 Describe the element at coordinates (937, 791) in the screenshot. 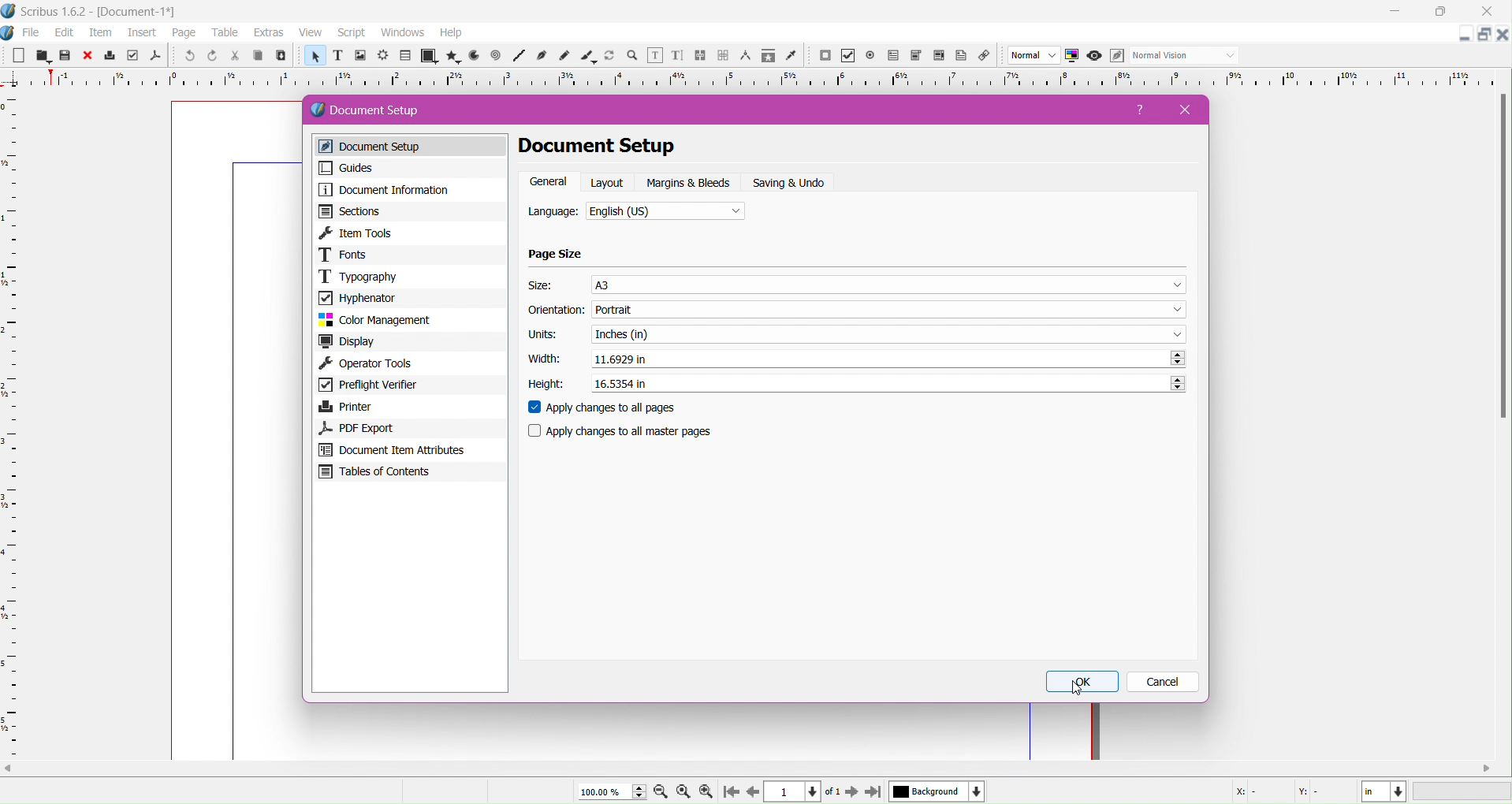

I see `background` at that location.